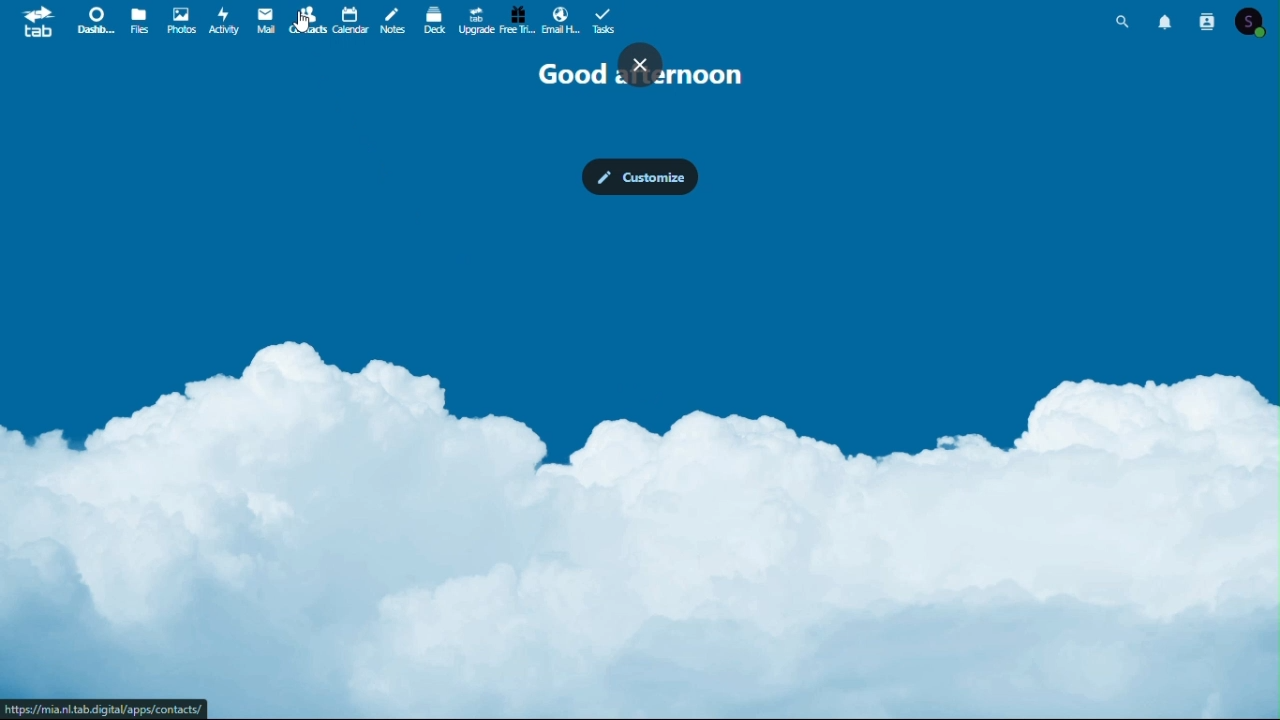 This screenshot has height=720, width=1280. I want to click on cursor, so click(305, 24).